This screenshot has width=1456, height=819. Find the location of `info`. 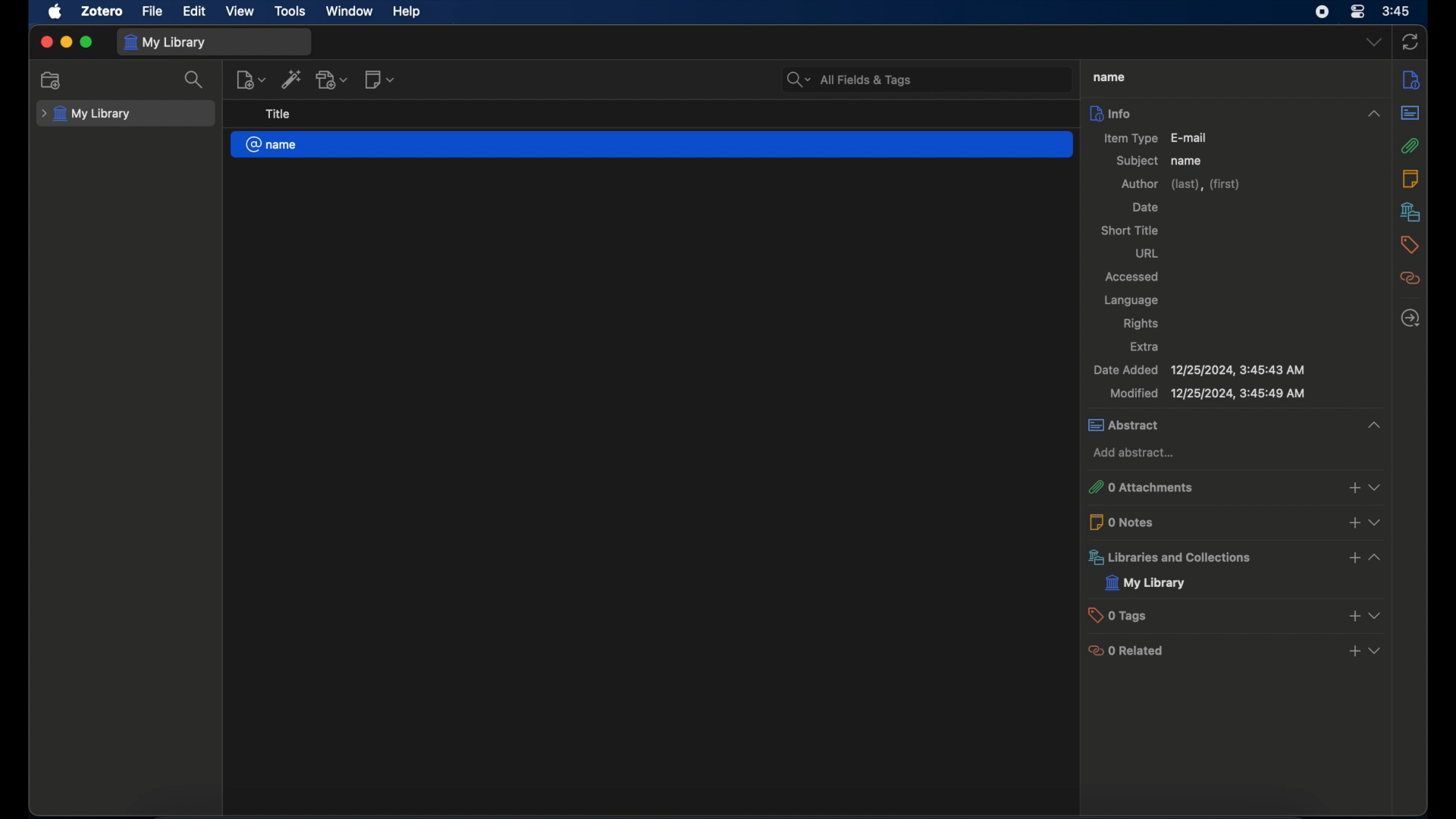

info is located at coordinates (1412, 79).